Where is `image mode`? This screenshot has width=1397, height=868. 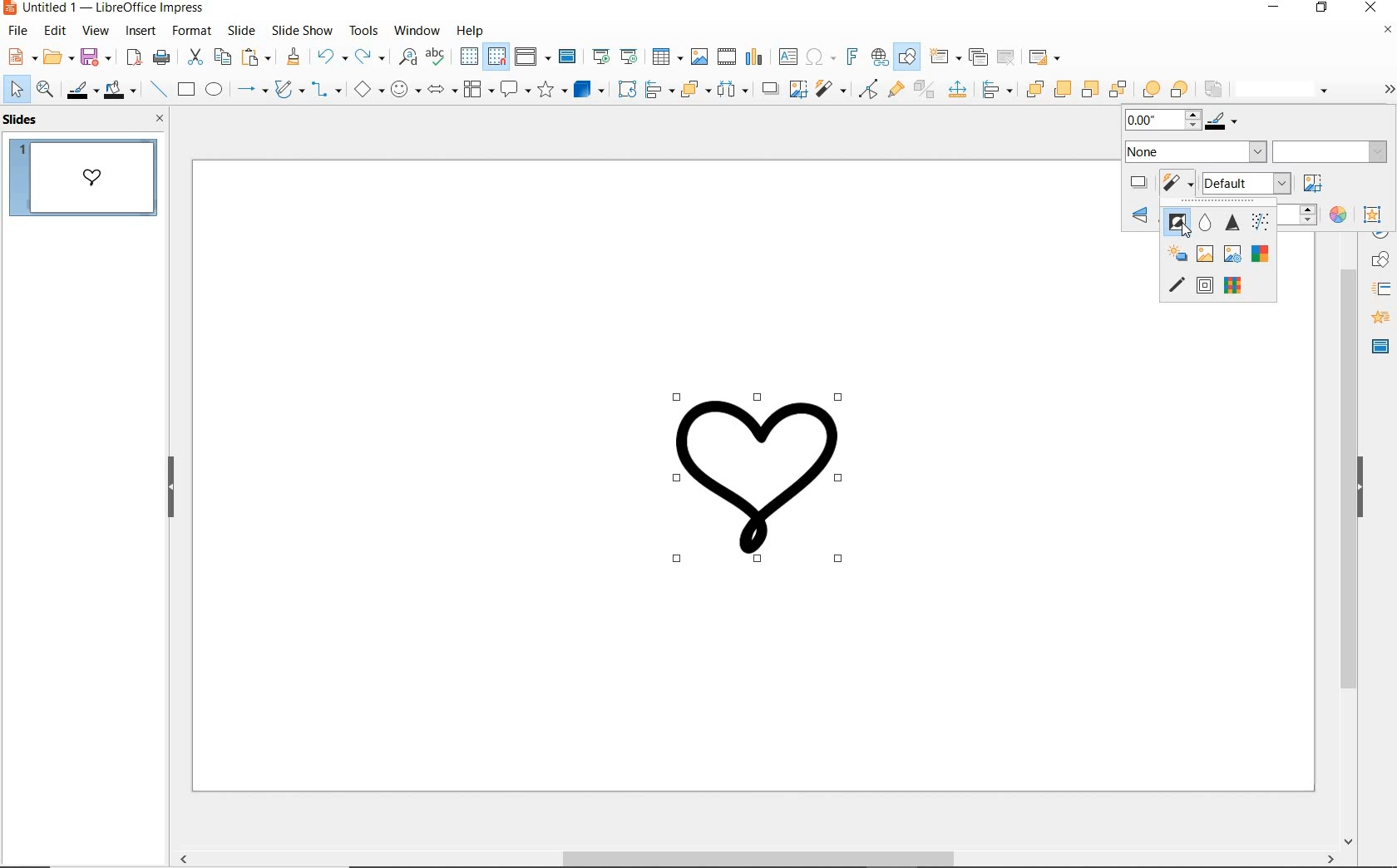
image mode is located at coordinates (1246, 184).